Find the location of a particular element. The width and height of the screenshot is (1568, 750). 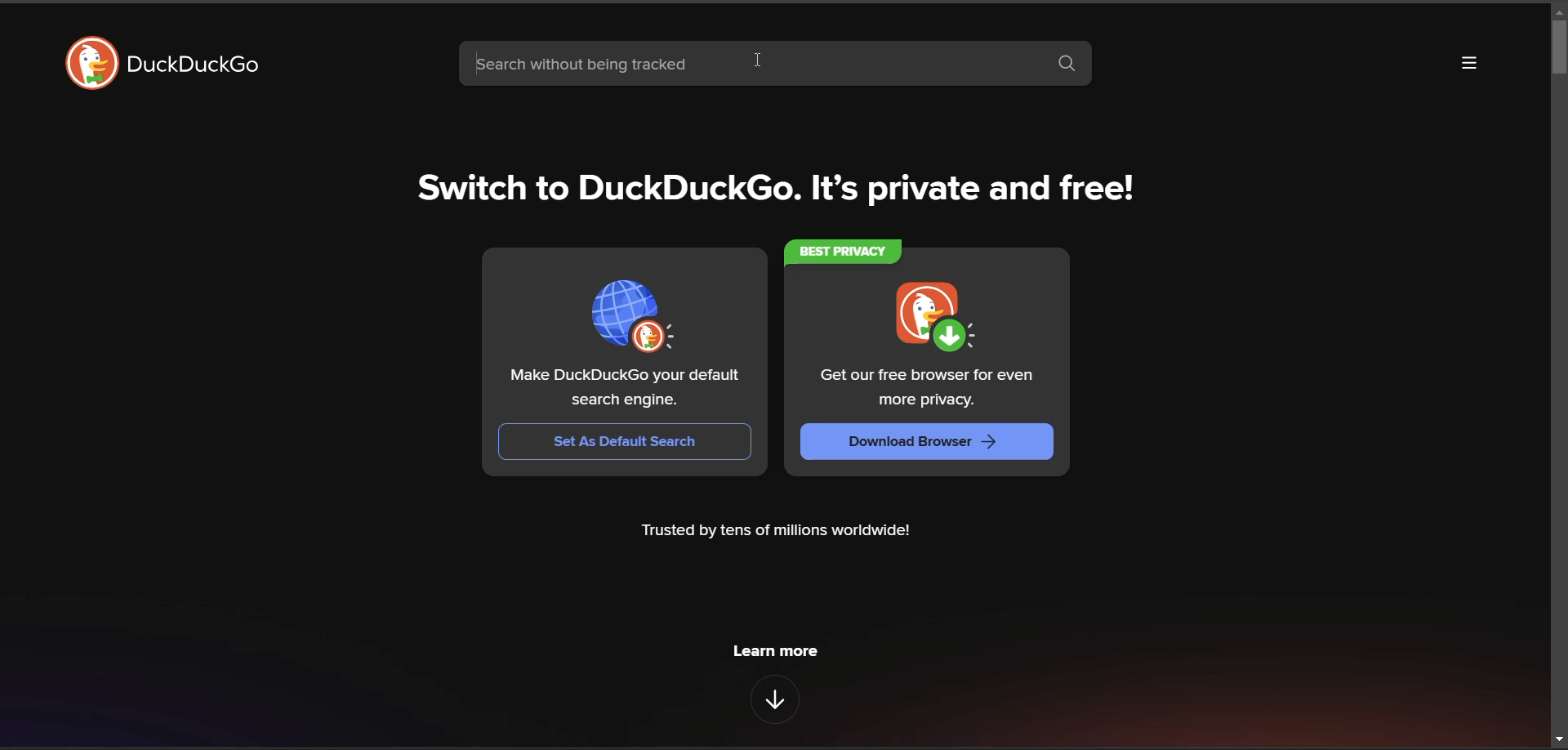

Download Browser is located at coordinates (927, 443).